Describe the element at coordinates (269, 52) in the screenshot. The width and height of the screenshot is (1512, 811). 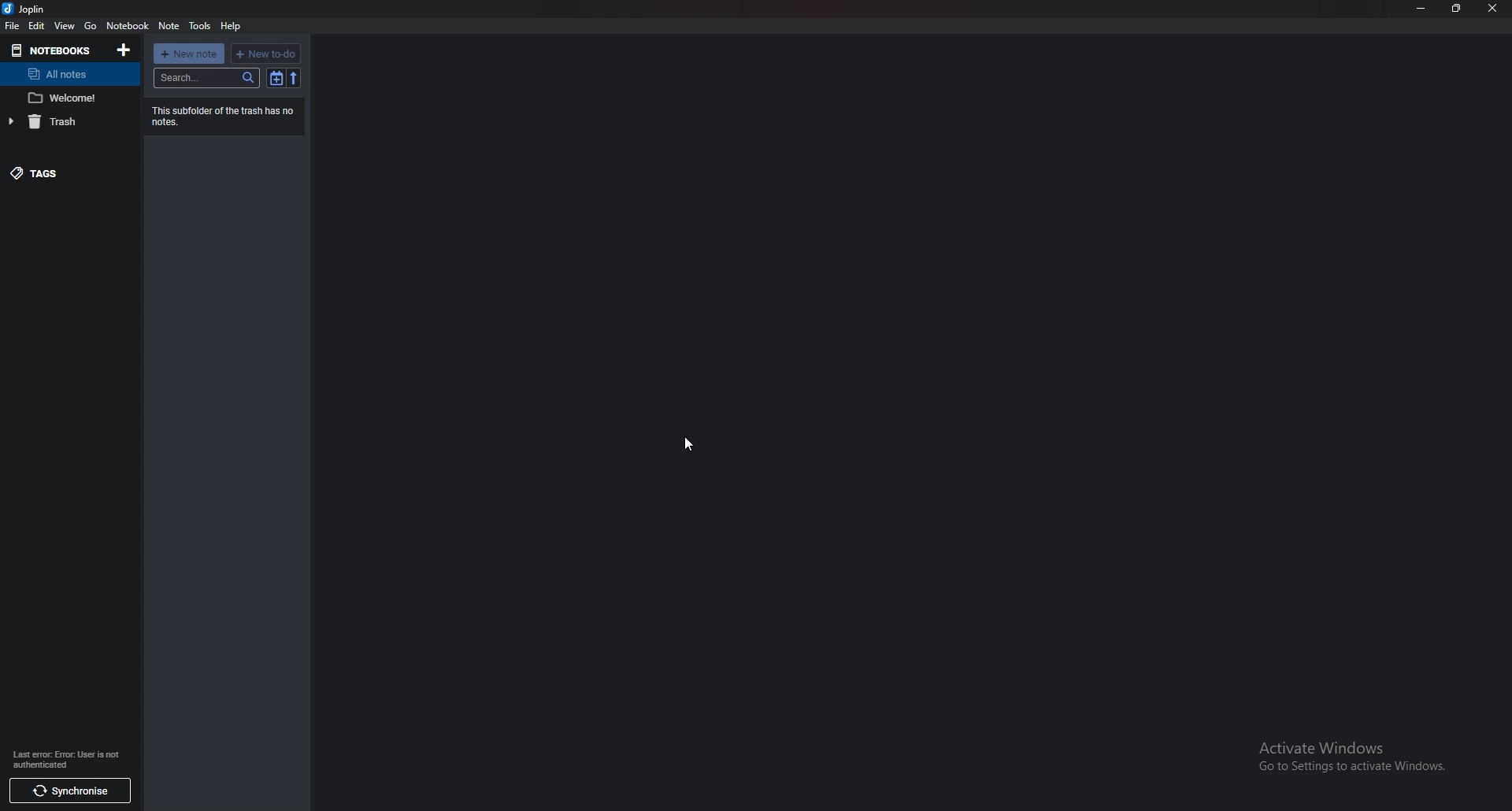
I see `new todo` at that location.